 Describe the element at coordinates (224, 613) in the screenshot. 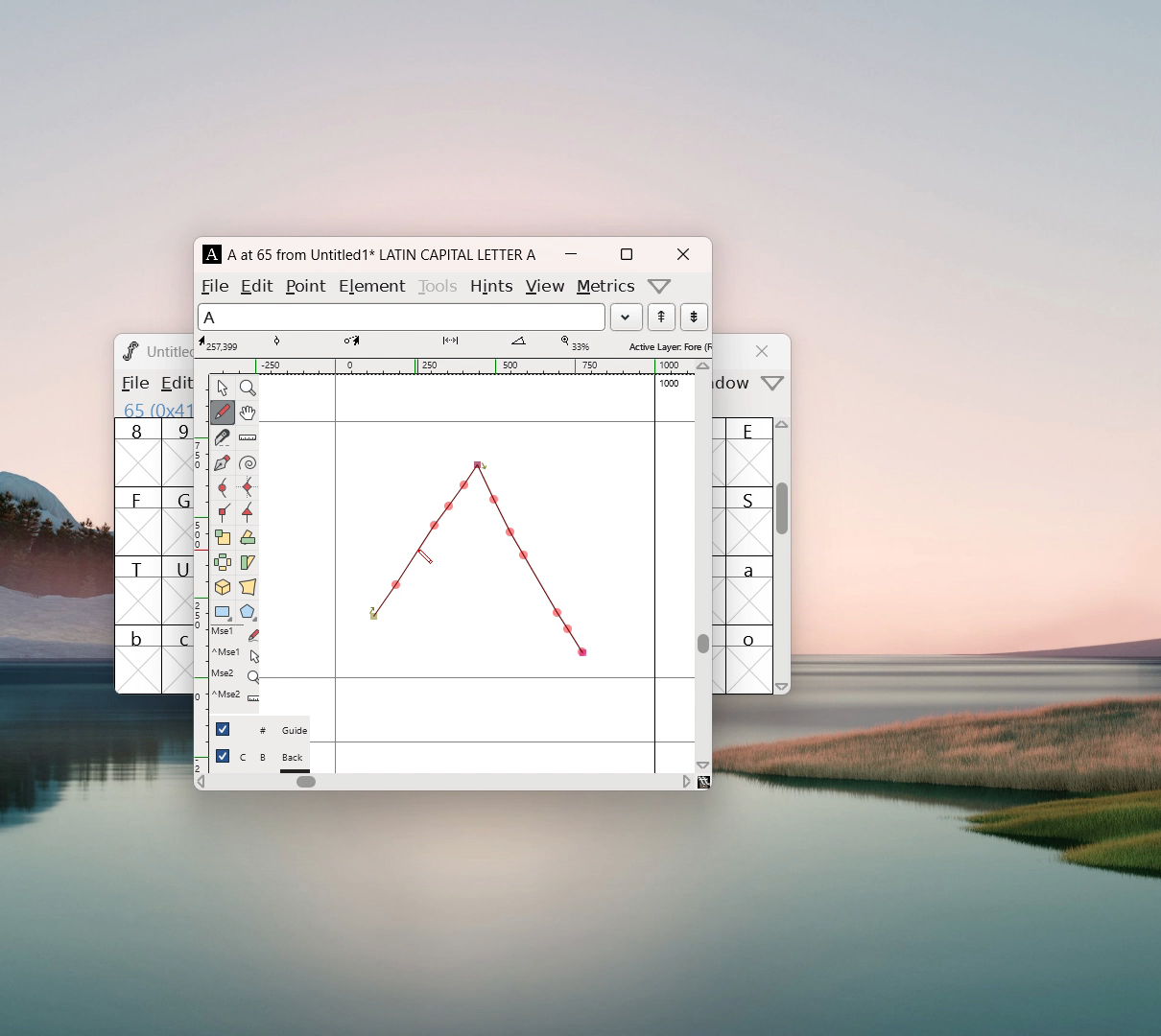

I see `rectangle or ellipse` at that location.